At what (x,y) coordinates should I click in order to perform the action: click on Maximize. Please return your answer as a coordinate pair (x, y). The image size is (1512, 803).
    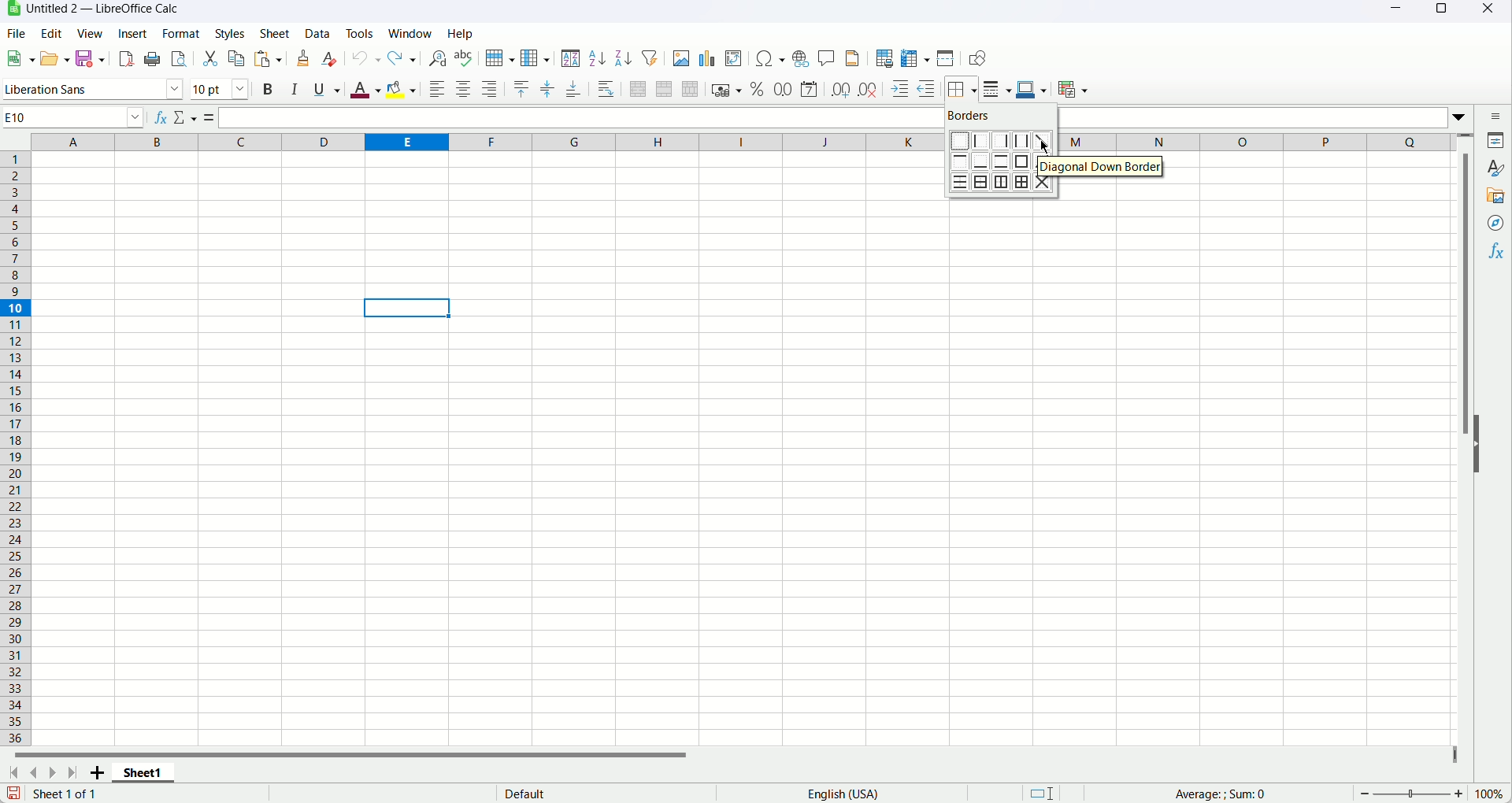
    Looking at the image, I should click on (1440, 13).